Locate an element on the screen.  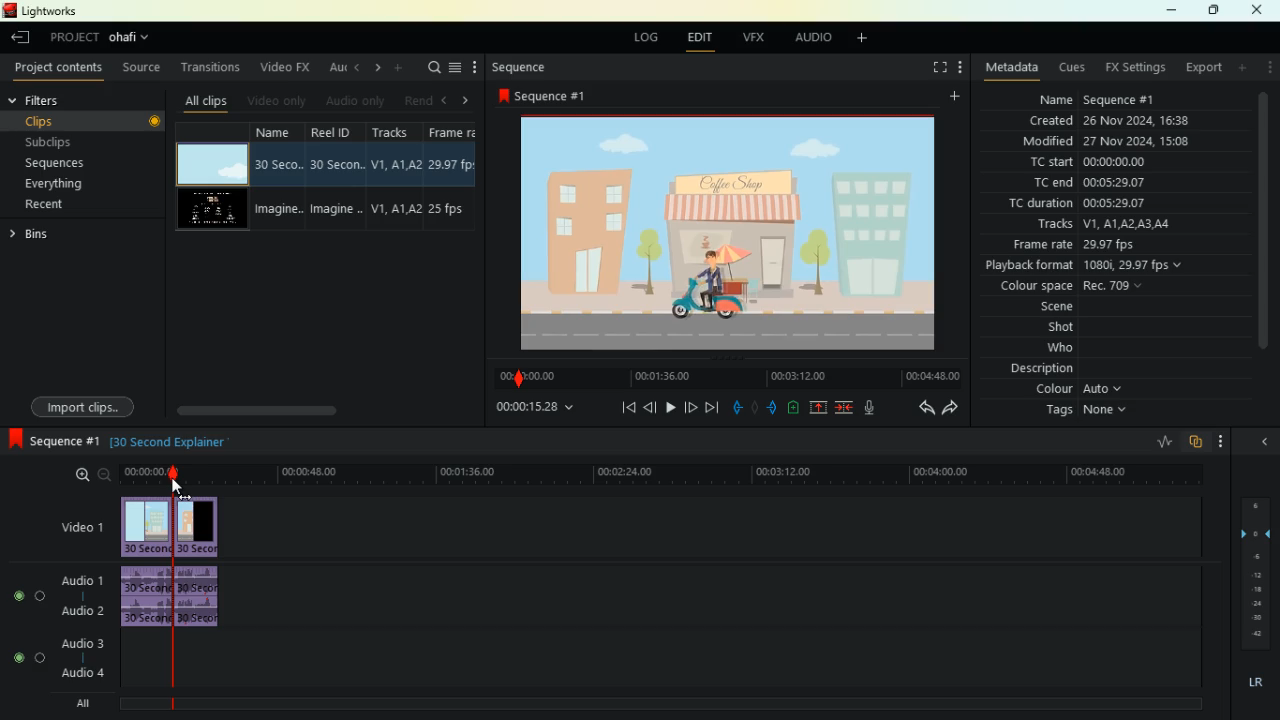
right is located at coordinates (379, 70).